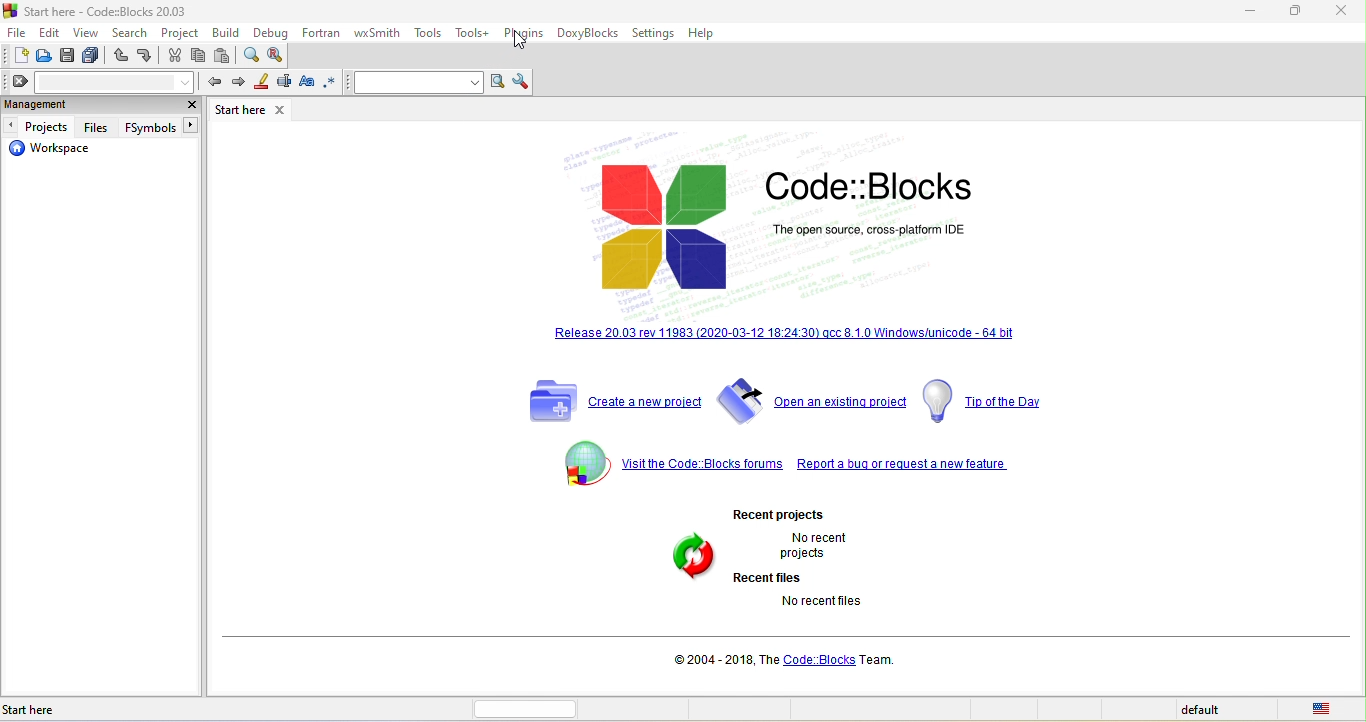  What do you see at coordinates (1250, 15) in the screenshot?
I see `minimize` at bounding box center [1250, 15].